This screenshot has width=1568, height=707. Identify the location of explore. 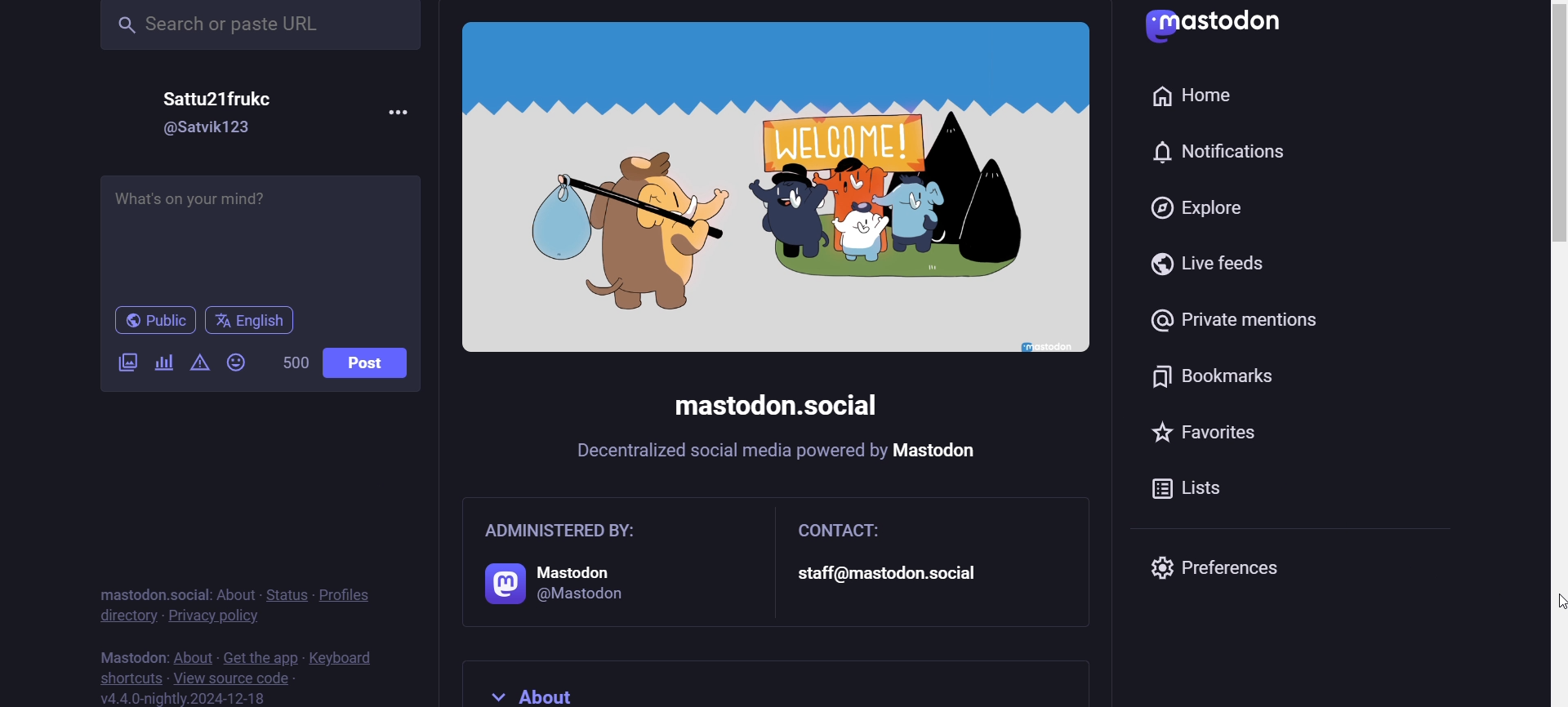
(1201, 208).